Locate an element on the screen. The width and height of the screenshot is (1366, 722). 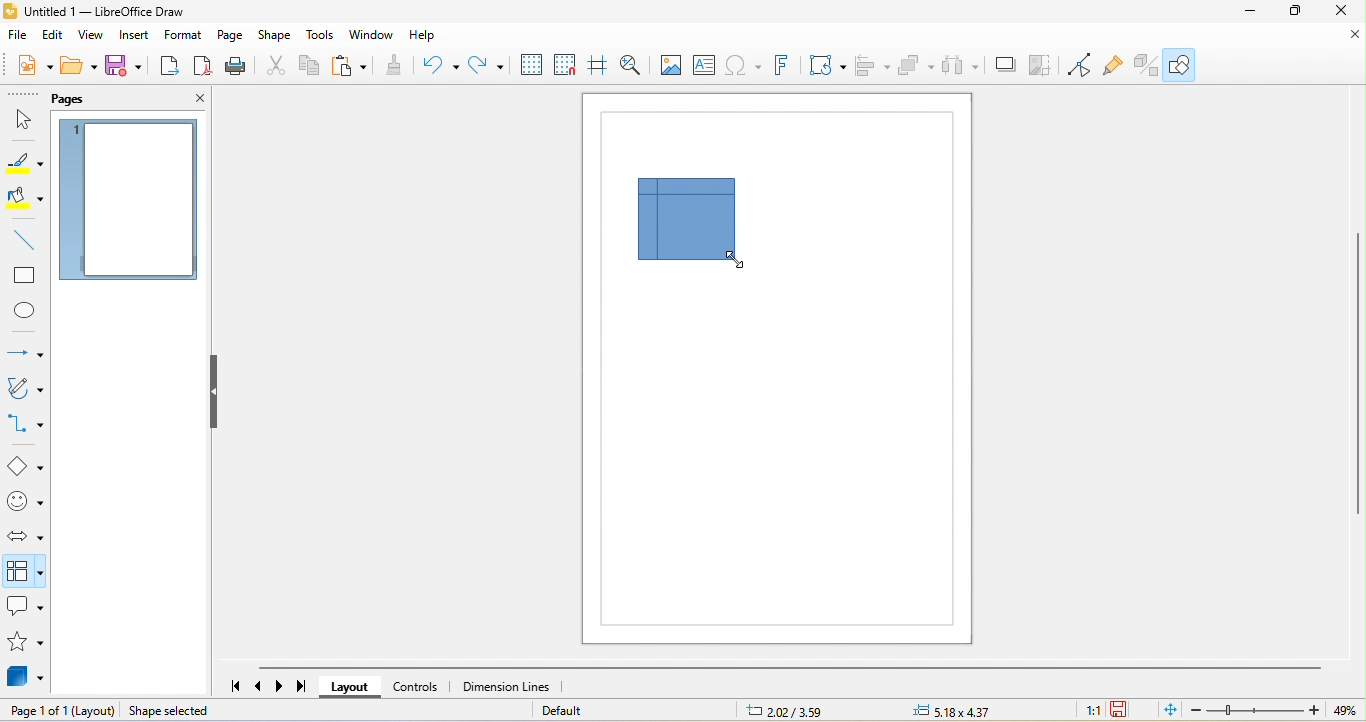
layout is located at coordinates (349, 687).